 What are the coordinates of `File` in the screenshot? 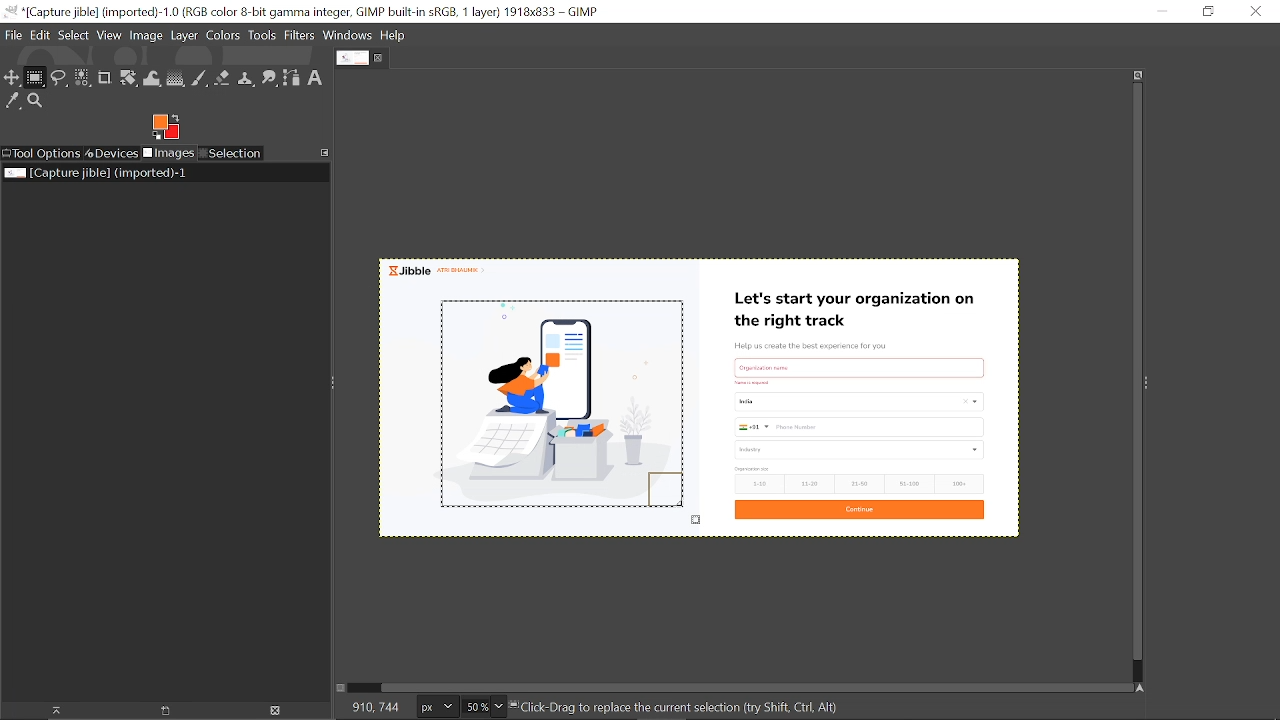 It's located at (12, 37).